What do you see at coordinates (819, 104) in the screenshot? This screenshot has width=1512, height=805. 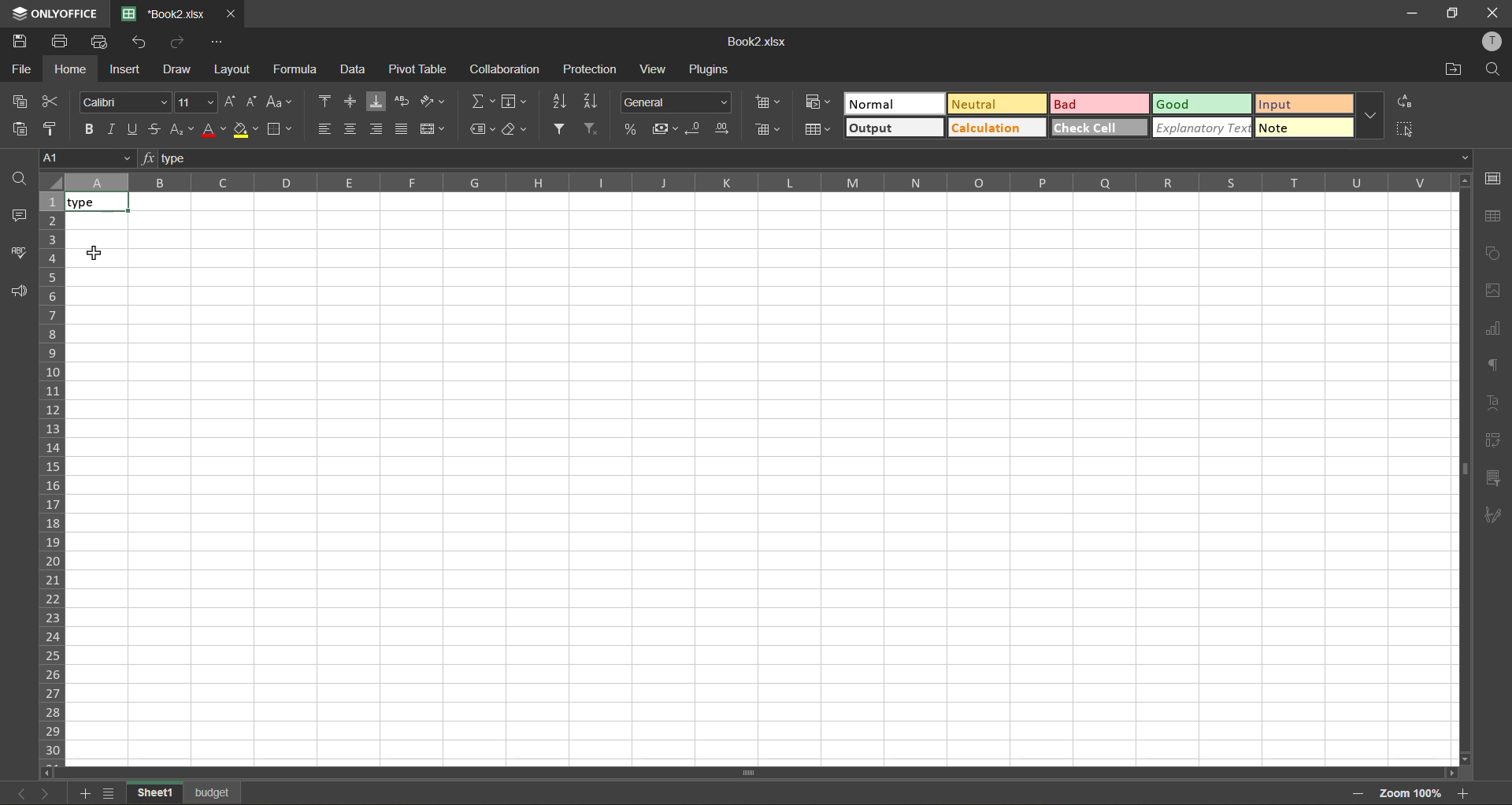 I see `conditional formatting` at bounding box center [819, 104].